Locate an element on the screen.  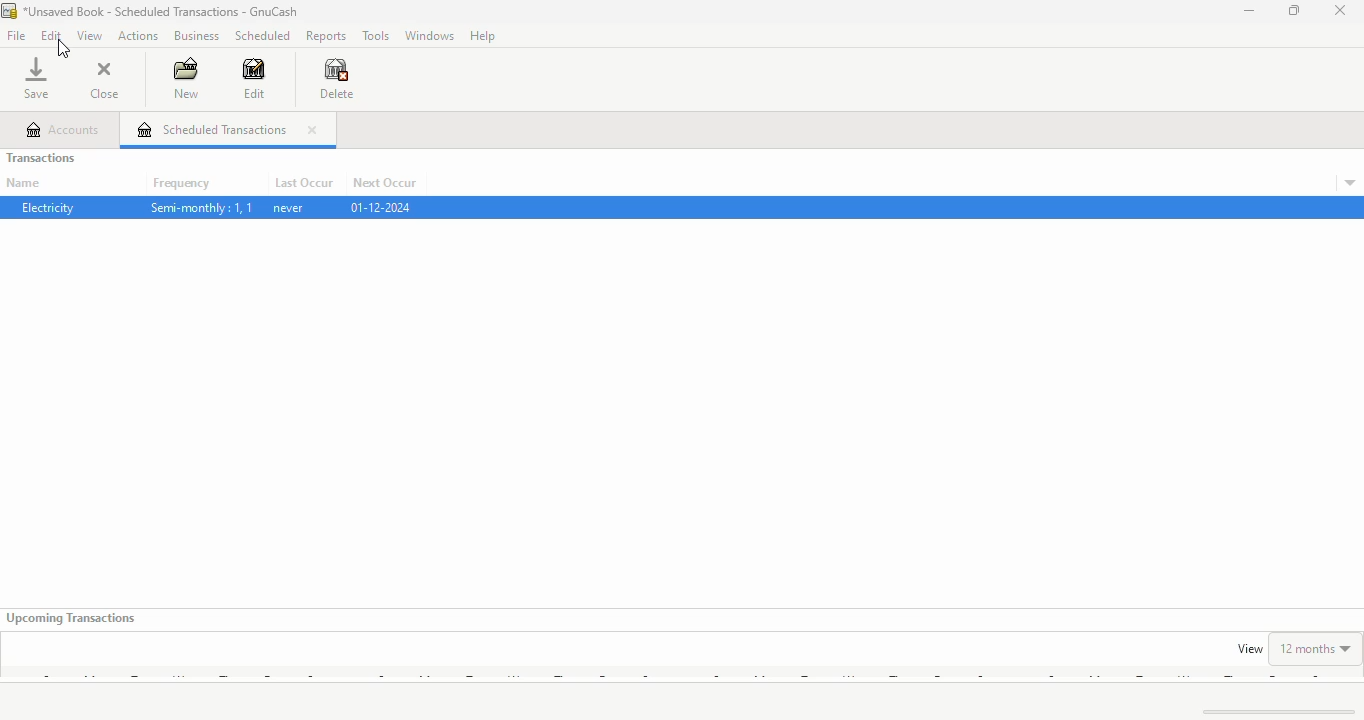
upcoming transactions is located at coordinates (72, 618).